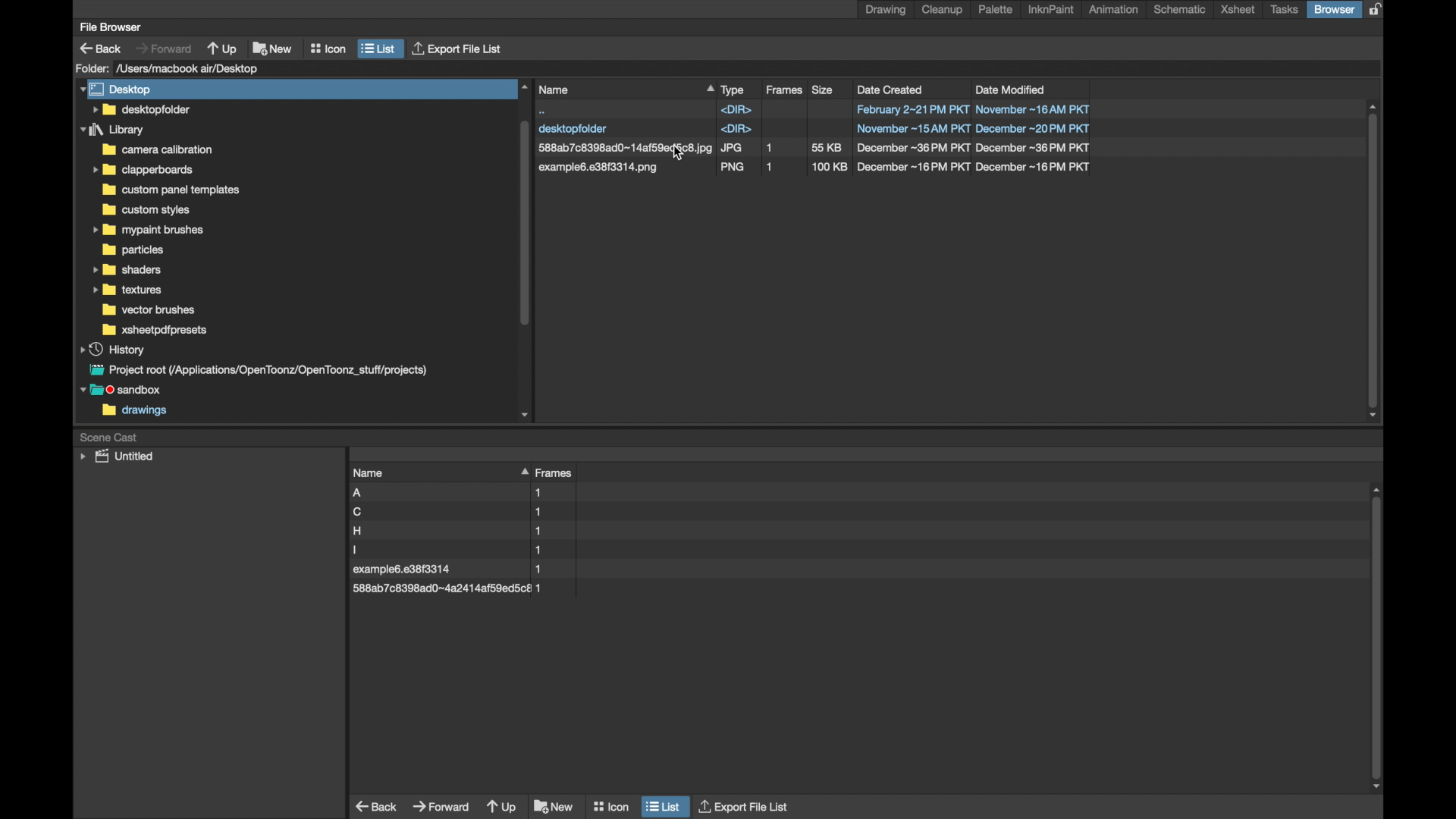 Image resolution: width=1456 pixels, height=819 pixels. What do you see at coordinates (557, 473) in the screenshot?
I see `frames` at bounding box center [557, 473].